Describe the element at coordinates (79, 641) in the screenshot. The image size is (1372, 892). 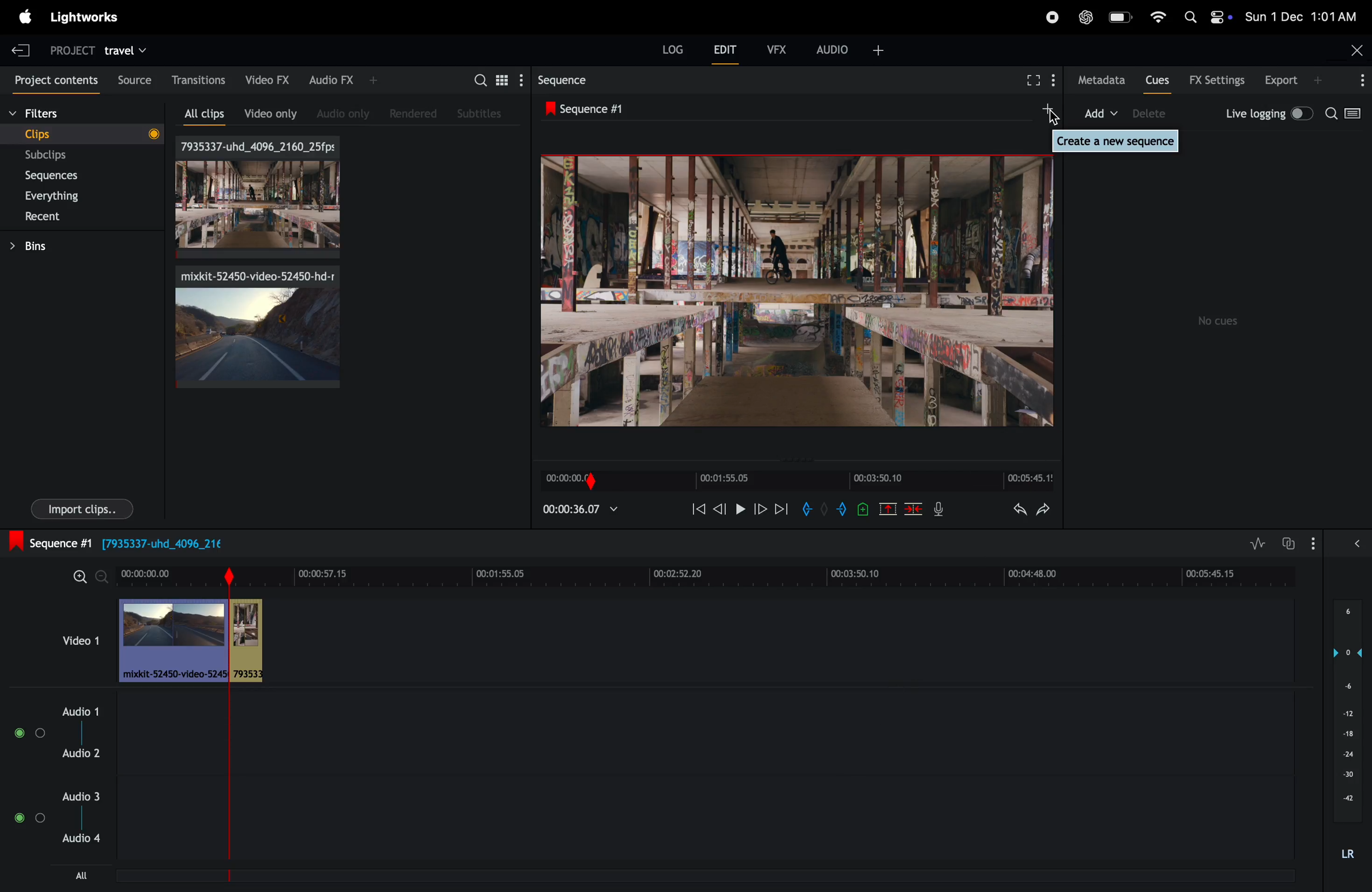
I see `video clips` at that location.